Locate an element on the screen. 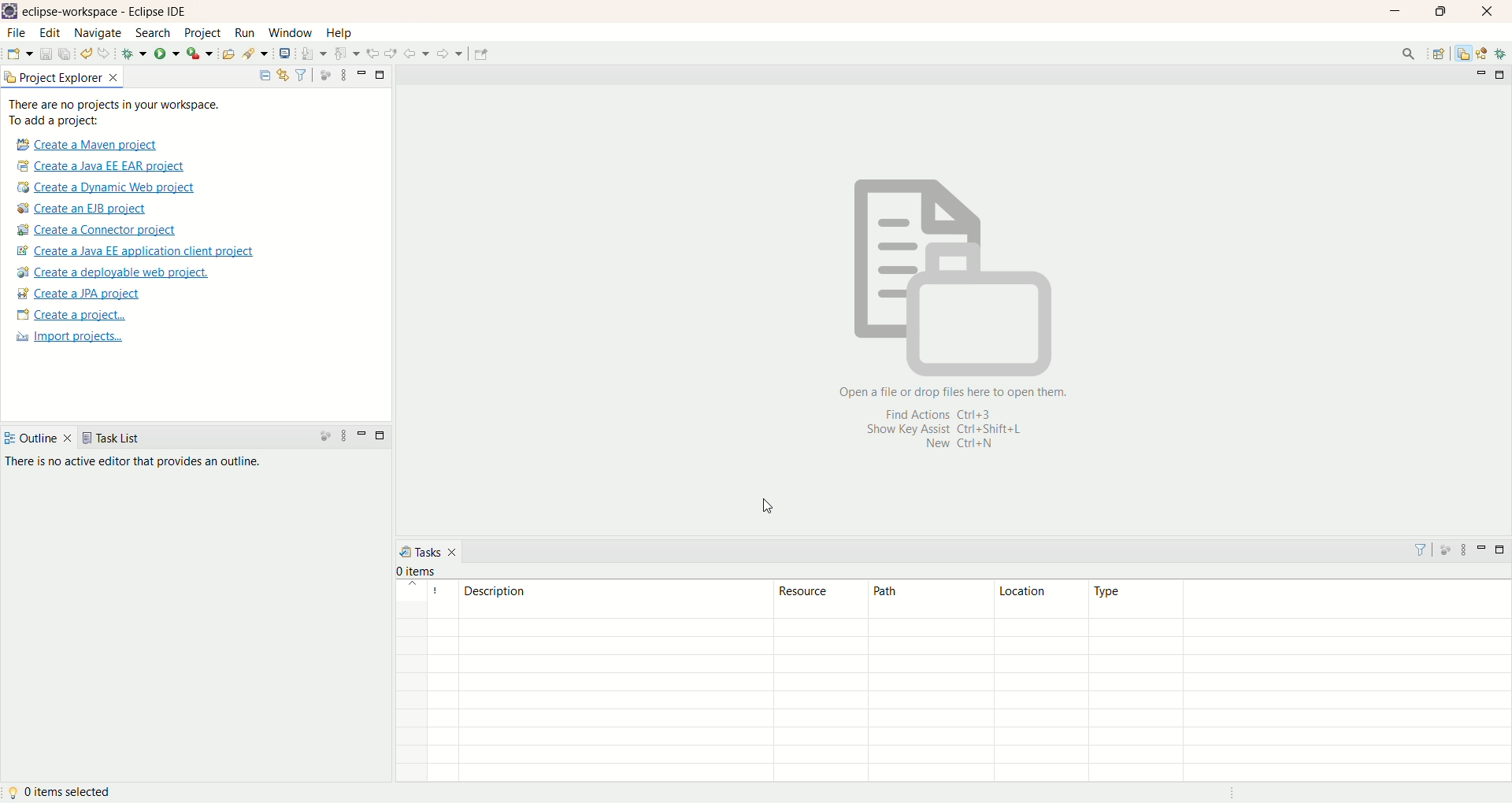 Image resolution: width=1512 pixels, height=803 pixels. image is located at coordinates (948, 279).